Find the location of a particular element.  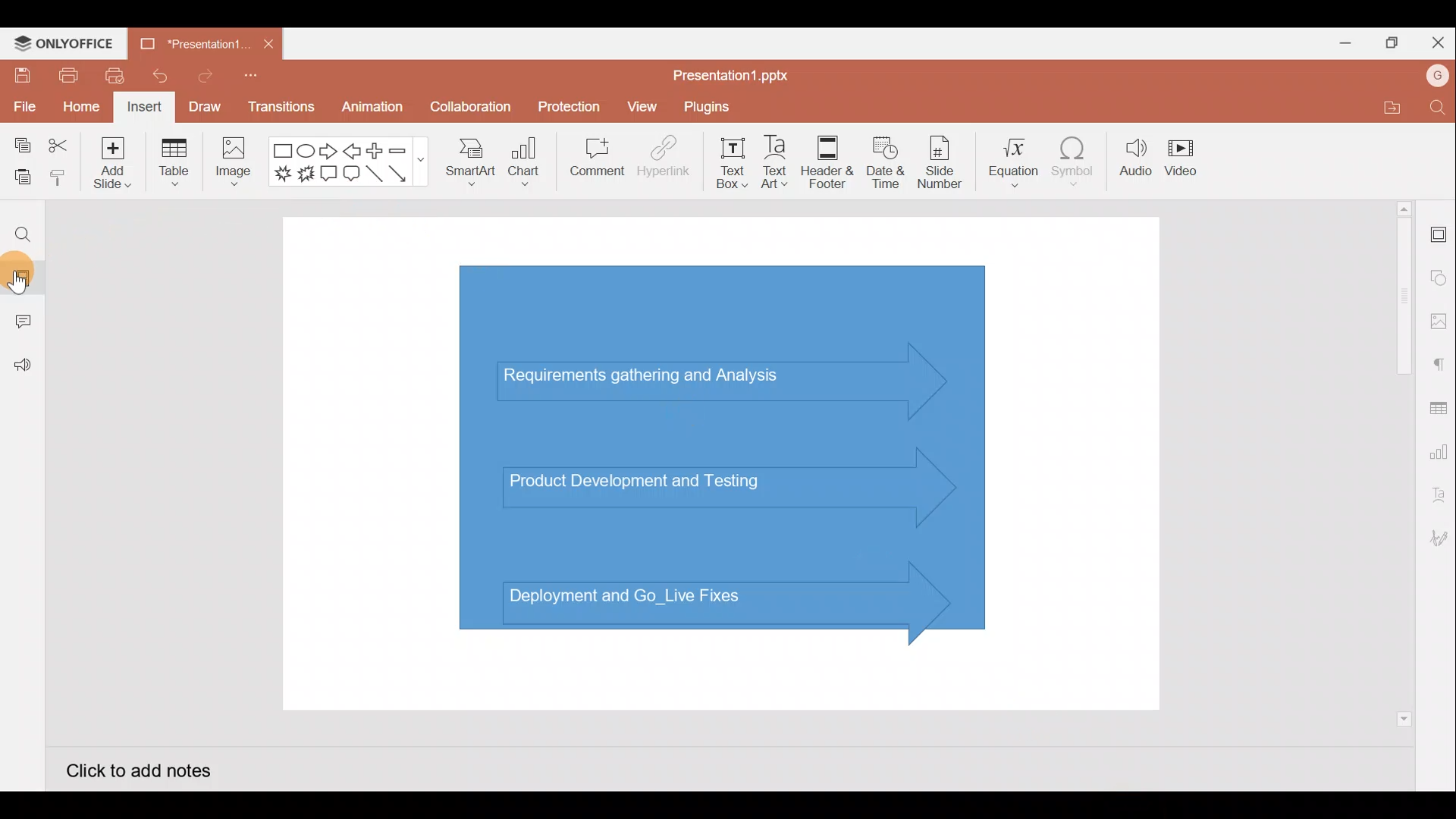

Copy is located at coordinates (22, 141).